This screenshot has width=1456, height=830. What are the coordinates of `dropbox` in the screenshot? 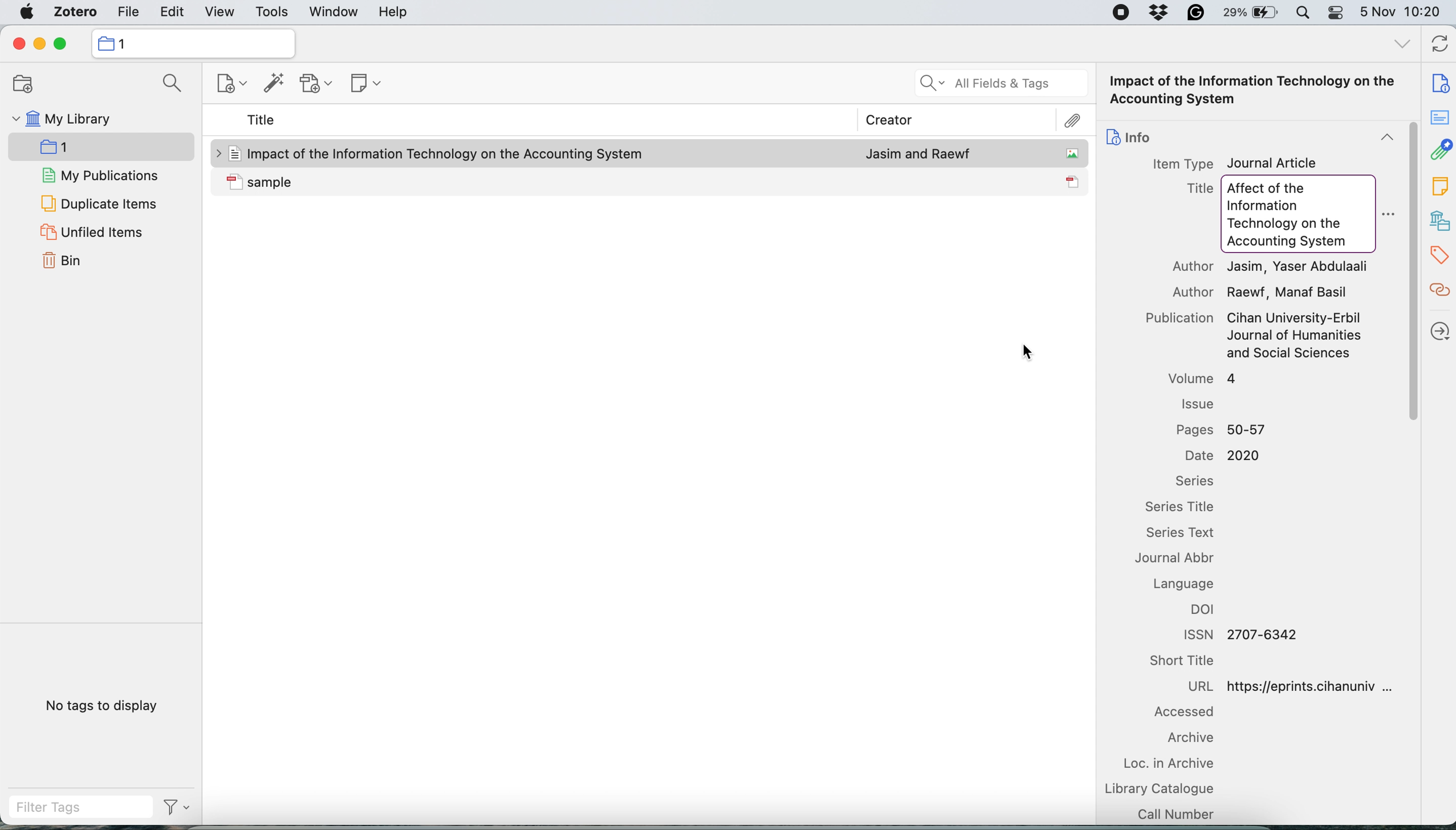 It's located at (1160, 13).